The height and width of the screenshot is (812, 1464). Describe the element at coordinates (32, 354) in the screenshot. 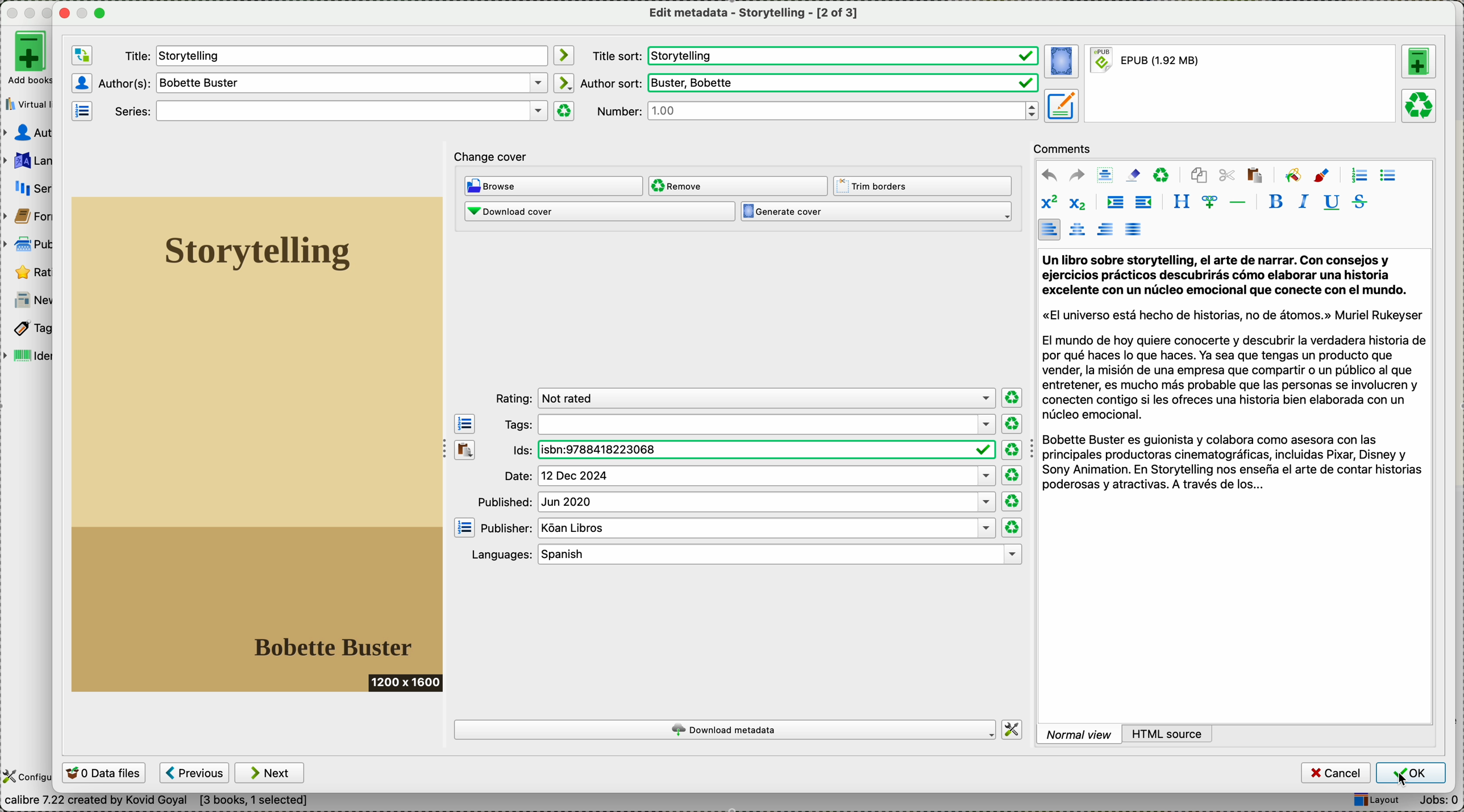

I see `identifiers` at that location.